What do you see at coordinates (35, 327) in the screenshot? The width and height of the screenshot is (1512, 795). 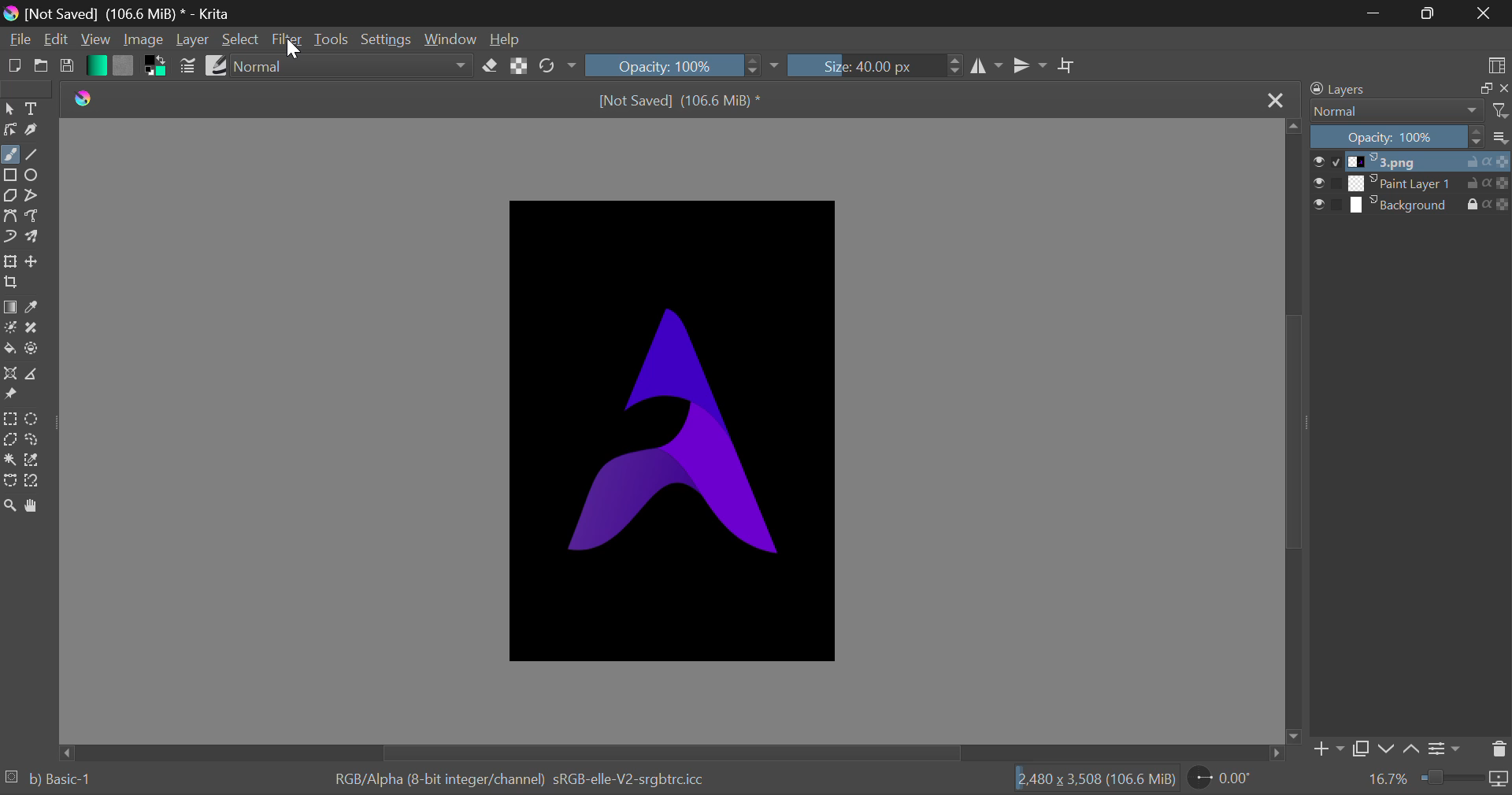 I see `Smart Patch Tool` at bounding box center [35, 327].